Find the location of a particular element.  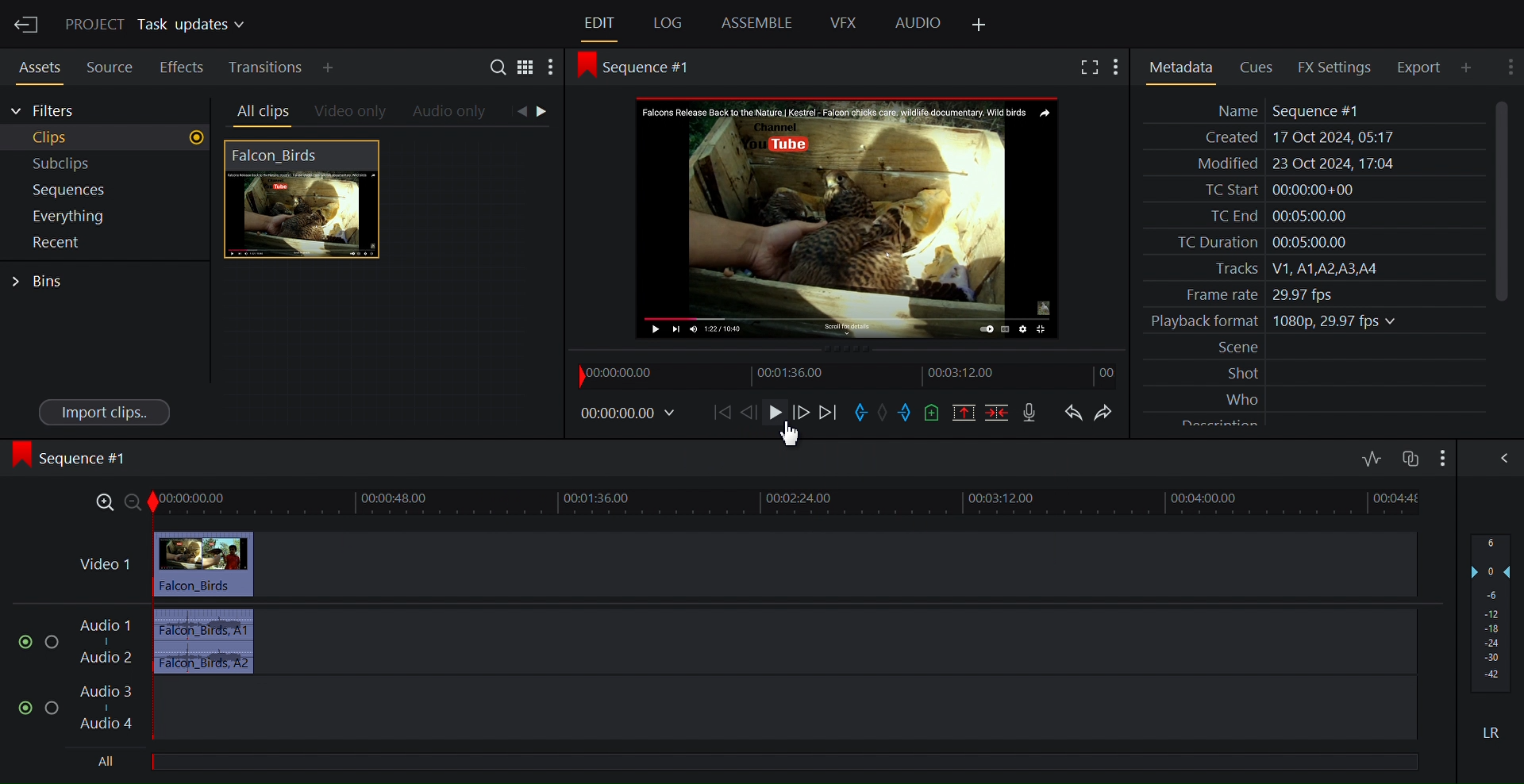

Nudge one frame forward is located at coordinates (754, 413).